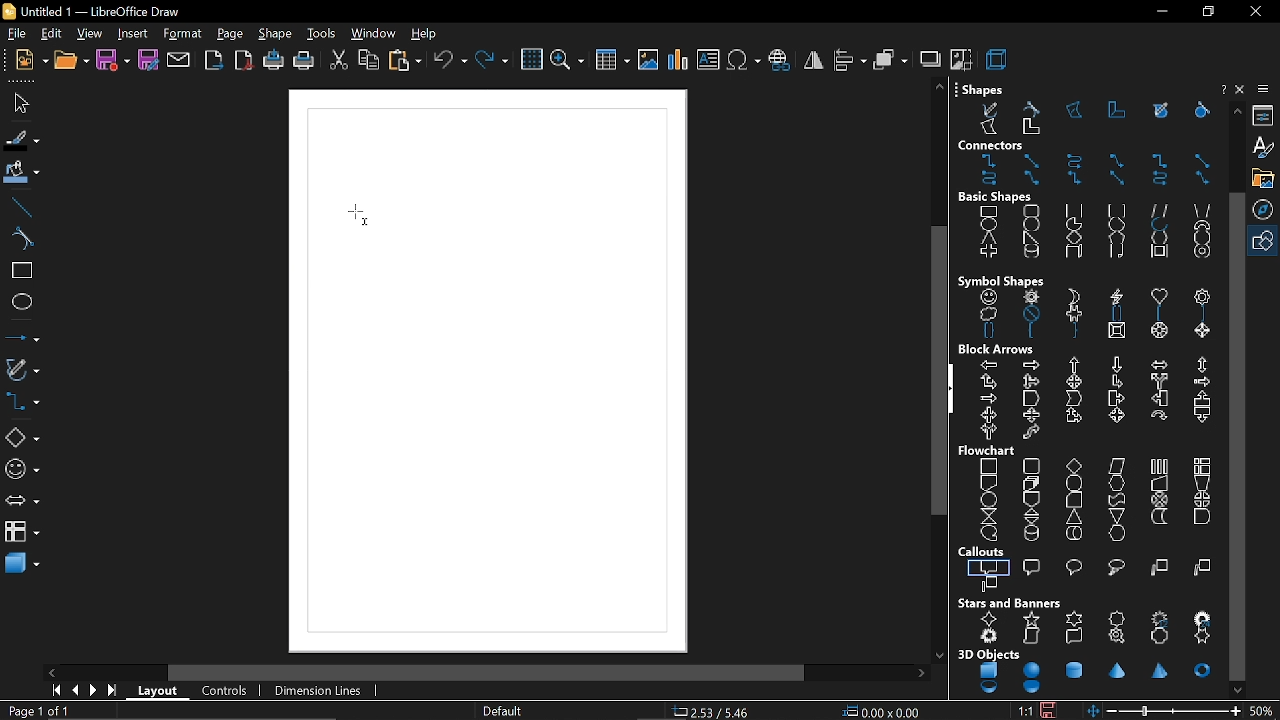  What do you see at coordinates (1265, 178) in the screenshot?
I see `gallery` at bounding box center [1265, 178].